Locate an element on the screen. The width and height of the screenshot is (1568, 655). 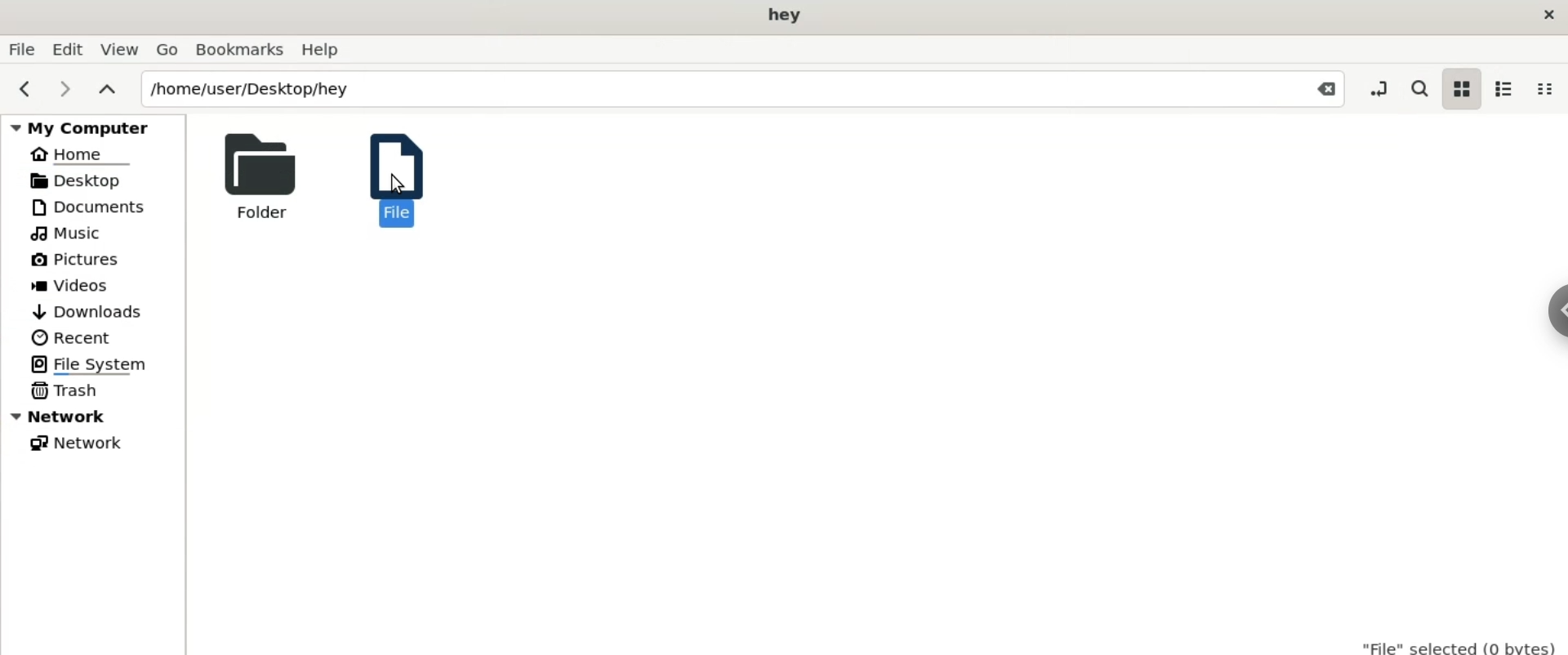
search is located at coordinates (1418, 90).